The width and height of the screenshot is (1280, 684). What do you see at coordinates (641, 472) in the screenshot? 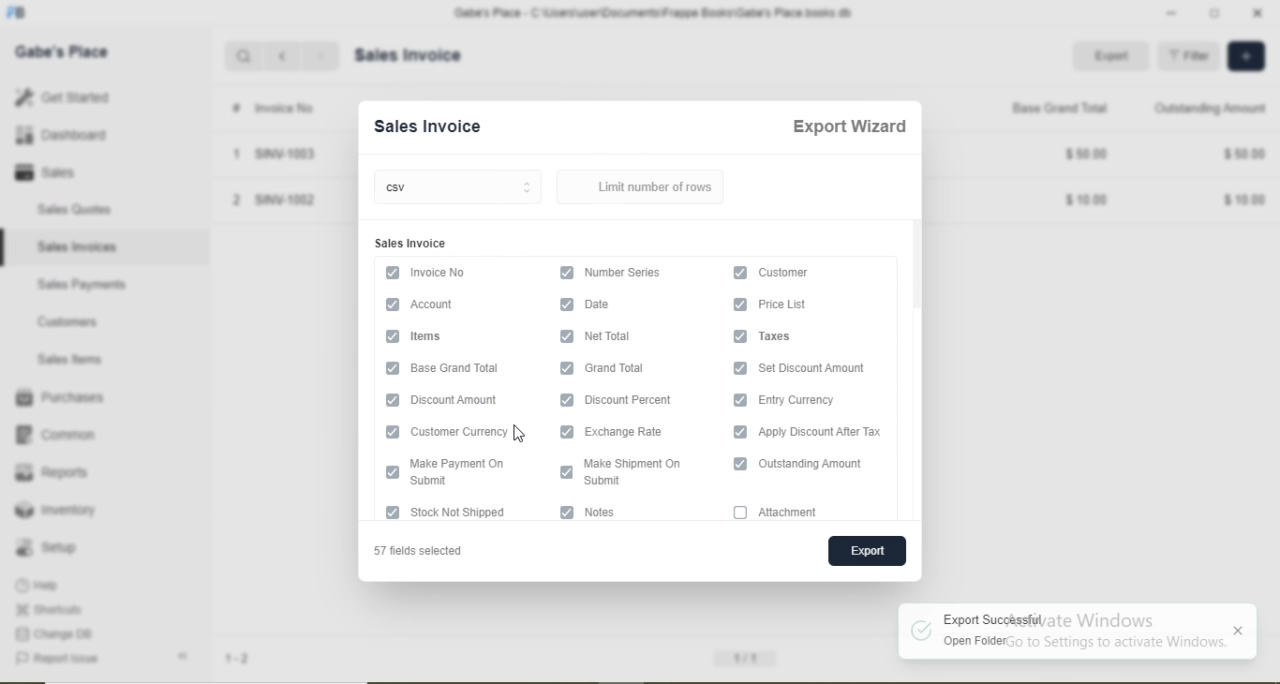
I see `Make Shipment On
Submit` at bounding box center [641, 472].